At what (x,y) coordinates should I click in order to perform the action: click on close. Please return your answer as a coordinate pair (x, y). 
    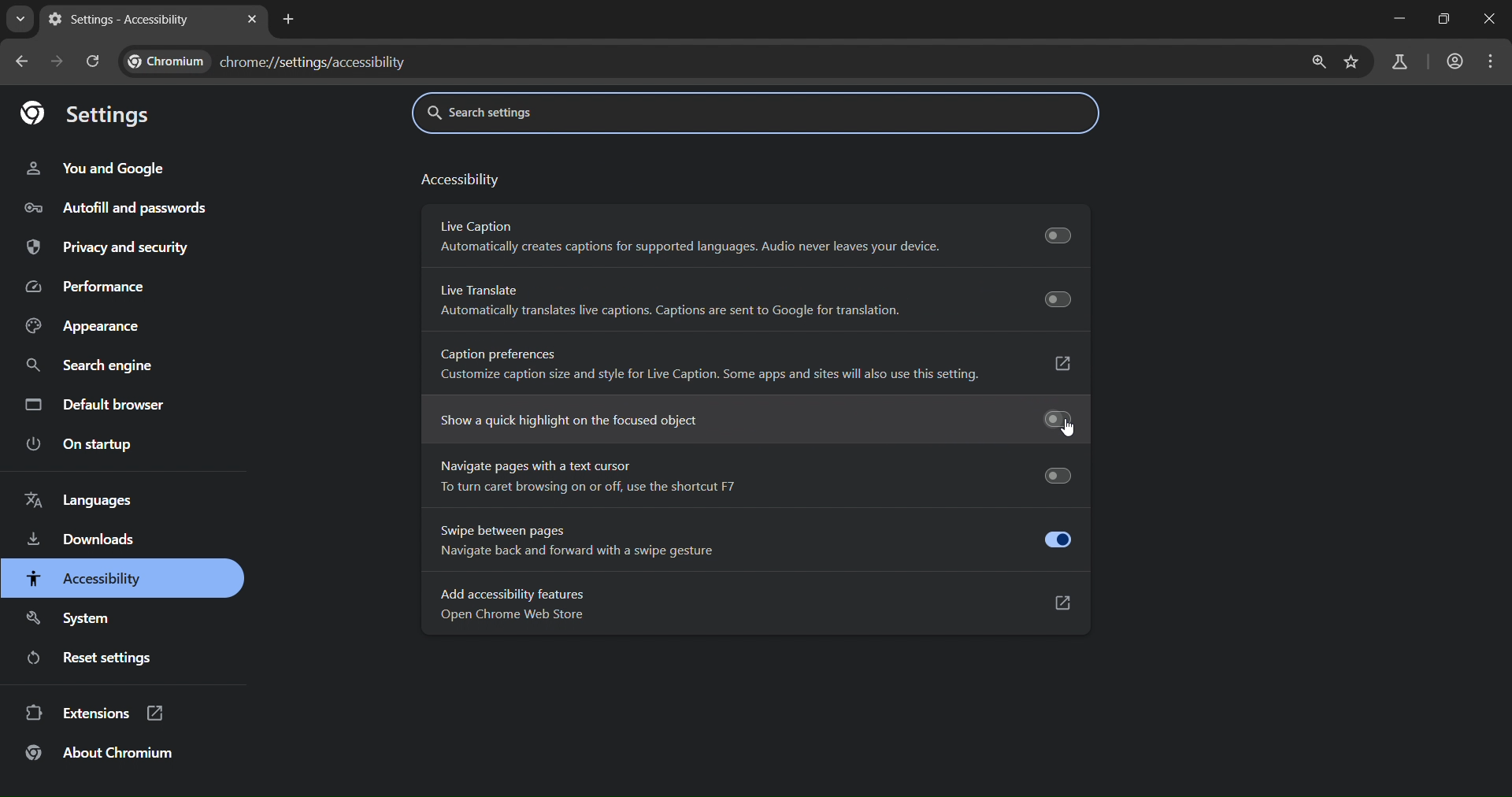
    Looking at the image, I should click on (1493, 18).